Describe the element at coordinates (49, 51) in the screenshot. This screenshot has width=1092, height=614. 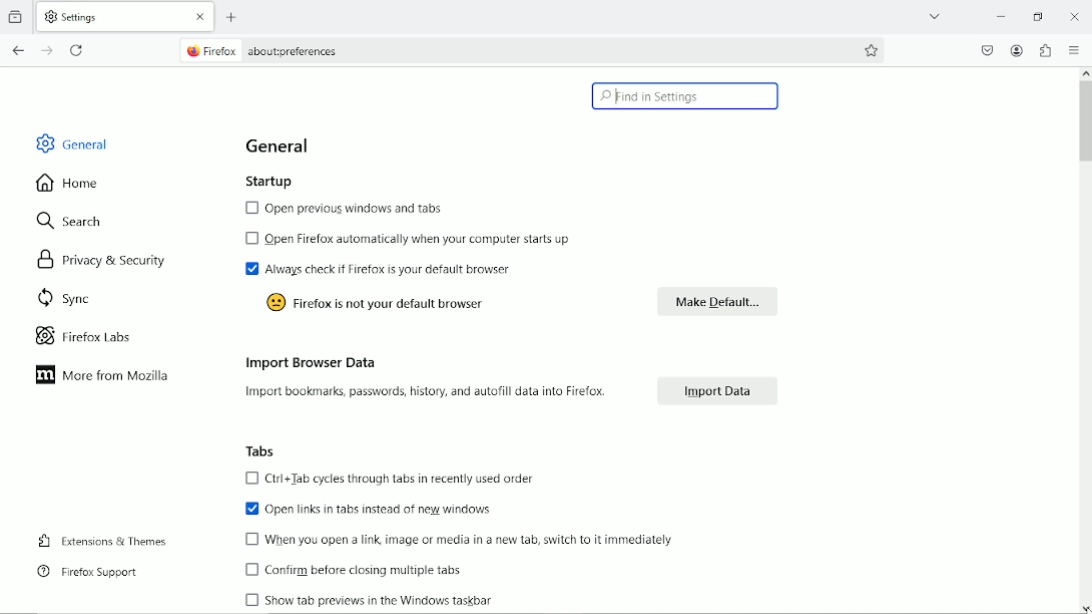
I see `Go forward` at that location.